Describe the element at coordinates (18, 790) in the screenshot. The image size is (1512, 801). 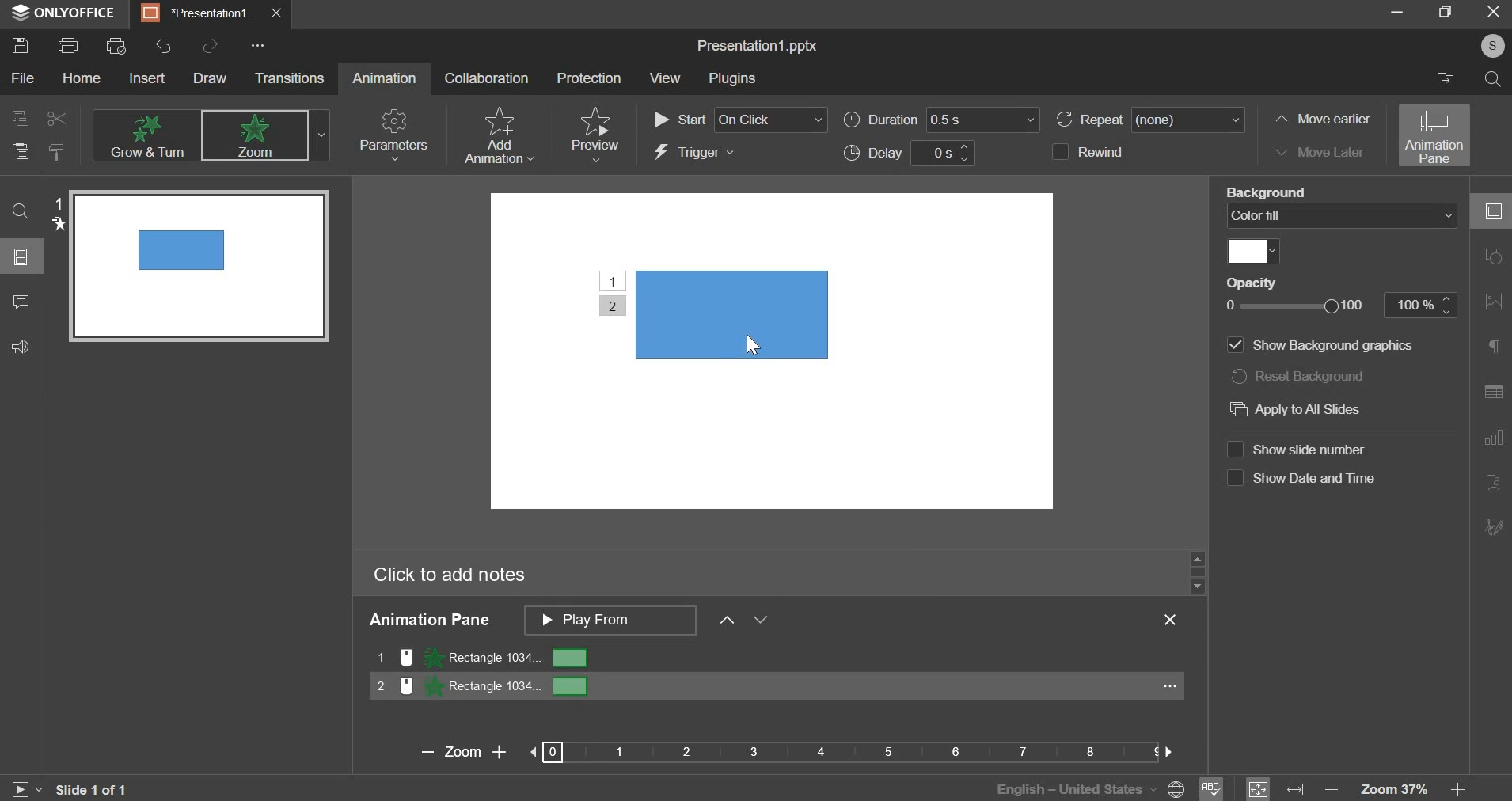
I see `play` at that location.